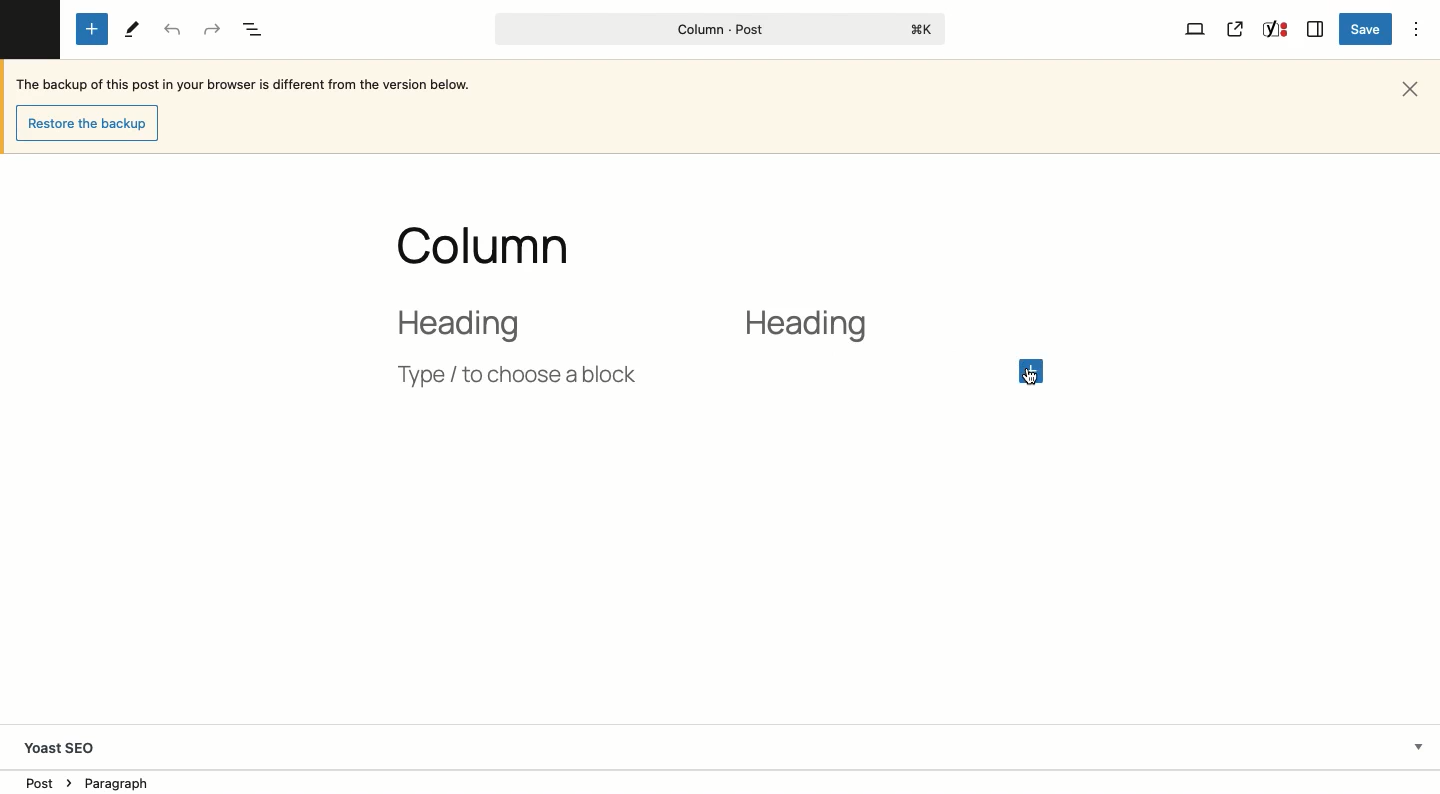 The image size is (1440, 794). I want to click on Document overview, so click(256, 31).